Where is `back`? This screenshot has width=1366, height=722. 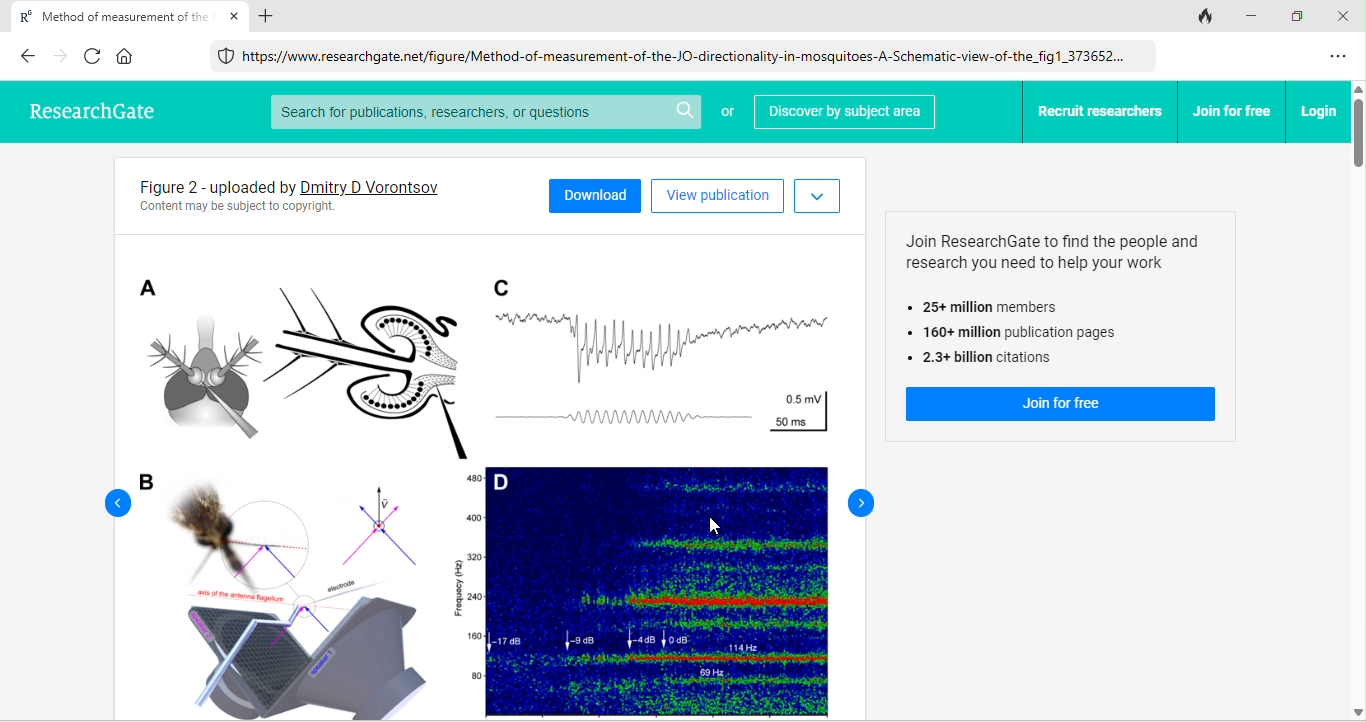 back is located at coordinates (27, 55).